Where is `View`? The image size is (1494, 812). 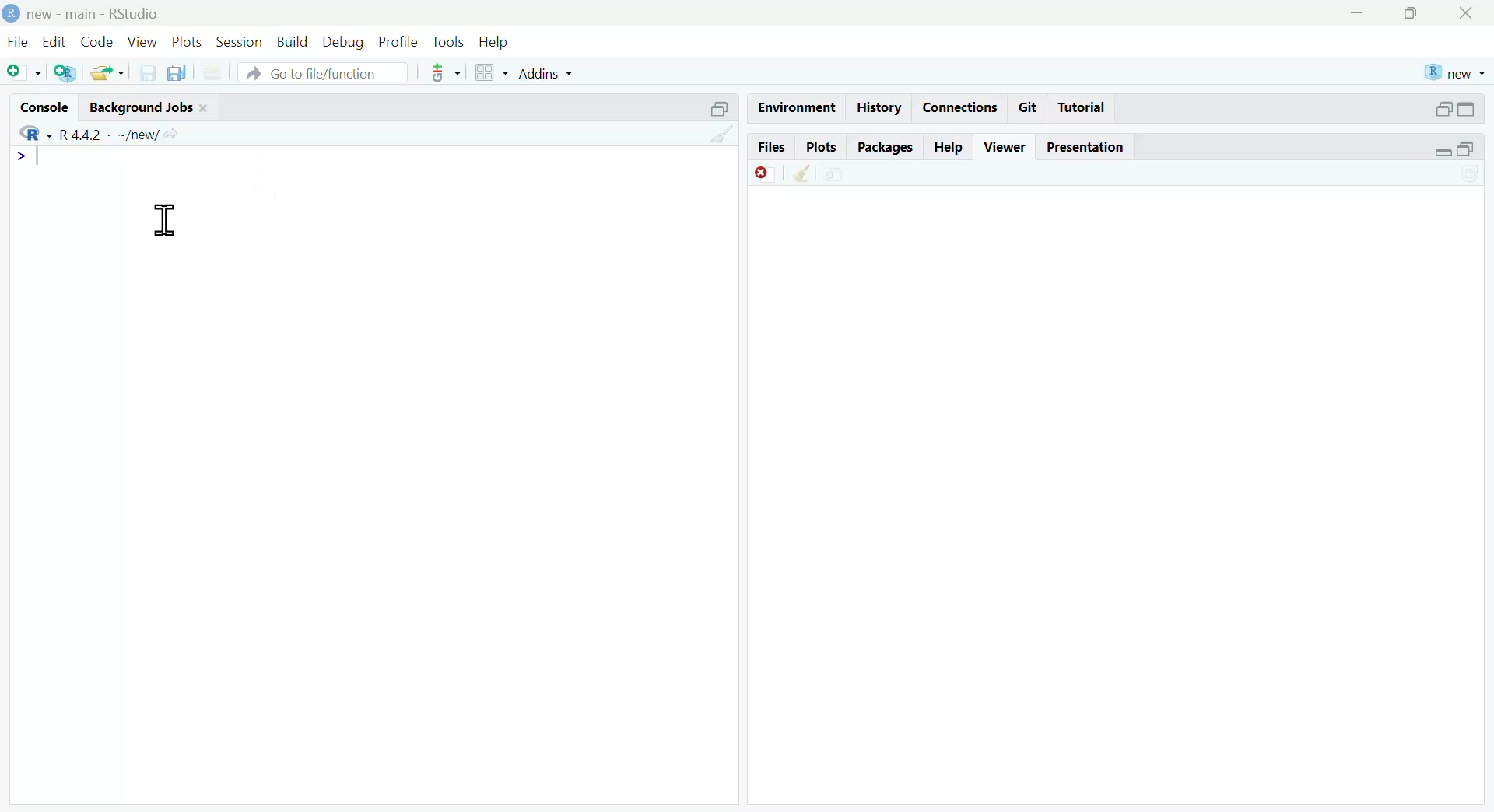
View is located at coordinates (139, 42).